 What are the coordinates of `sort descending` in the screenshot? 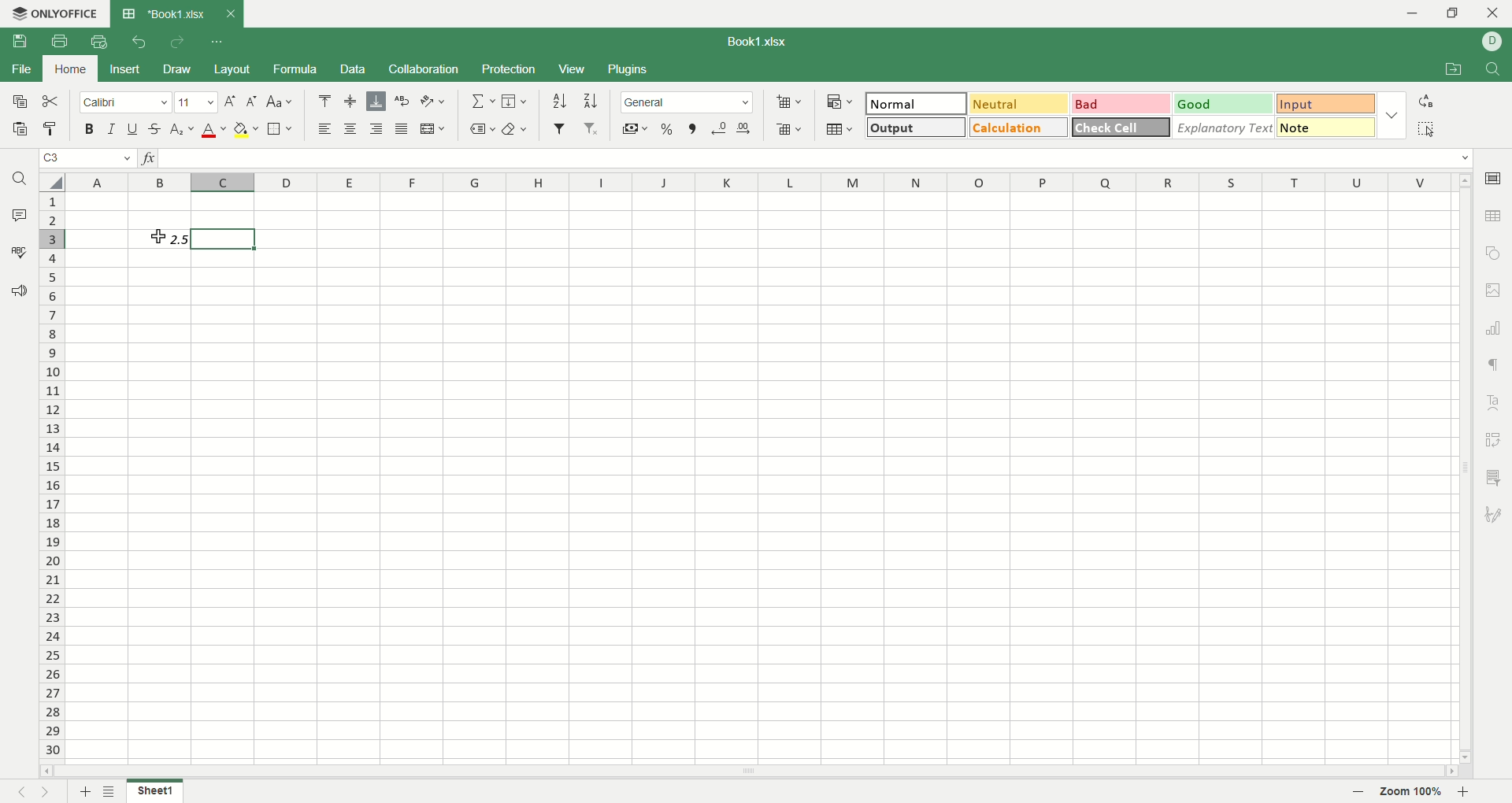 It's located at (589, 100).